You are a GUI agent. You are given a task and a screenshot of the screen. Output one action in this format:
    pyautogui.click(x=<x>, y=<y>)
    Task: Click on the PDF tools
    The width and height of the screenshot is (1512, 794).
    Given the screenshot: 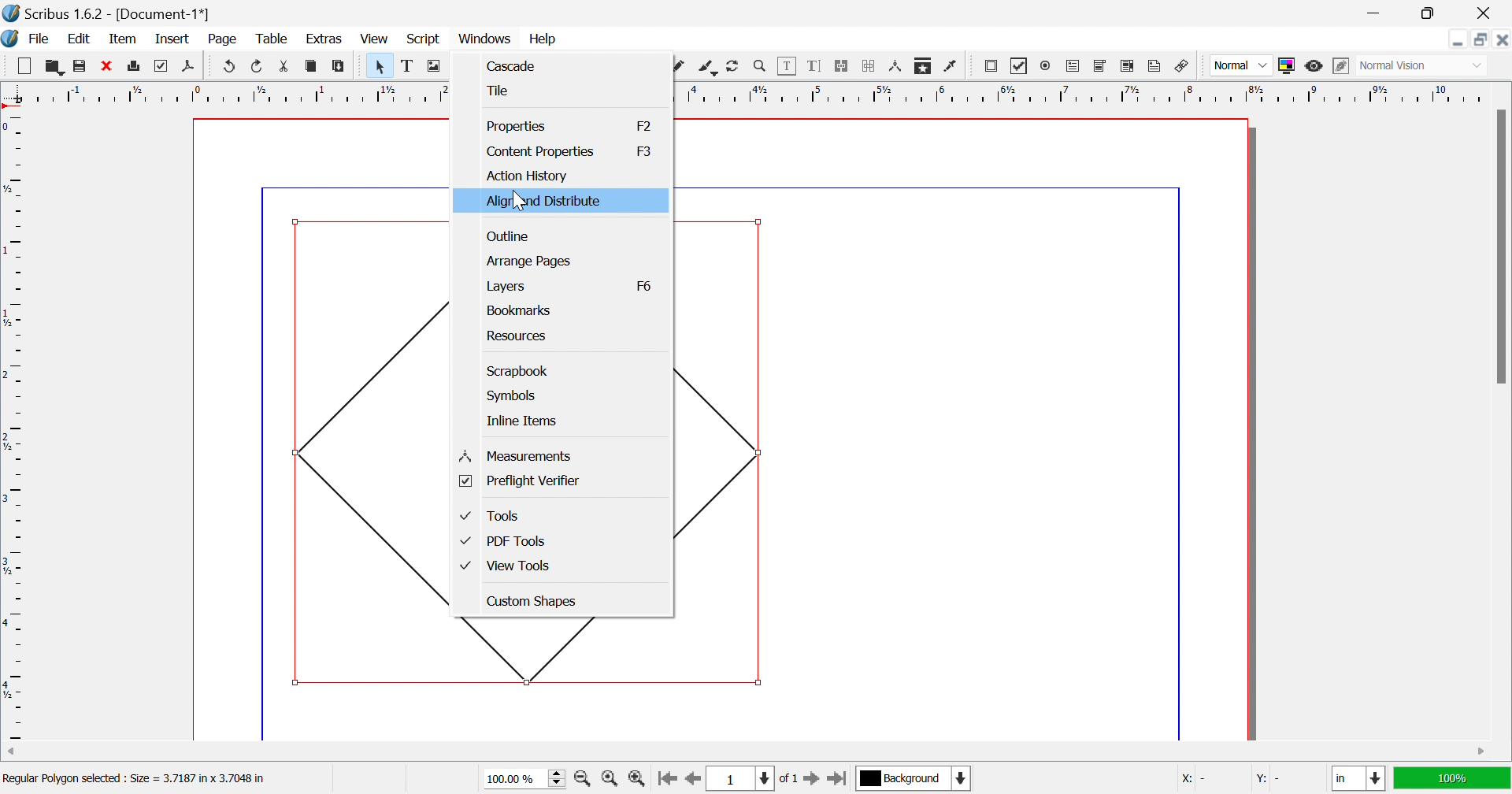 What is the action you would take?
    pyautogui.click(x=504, y=542)
    